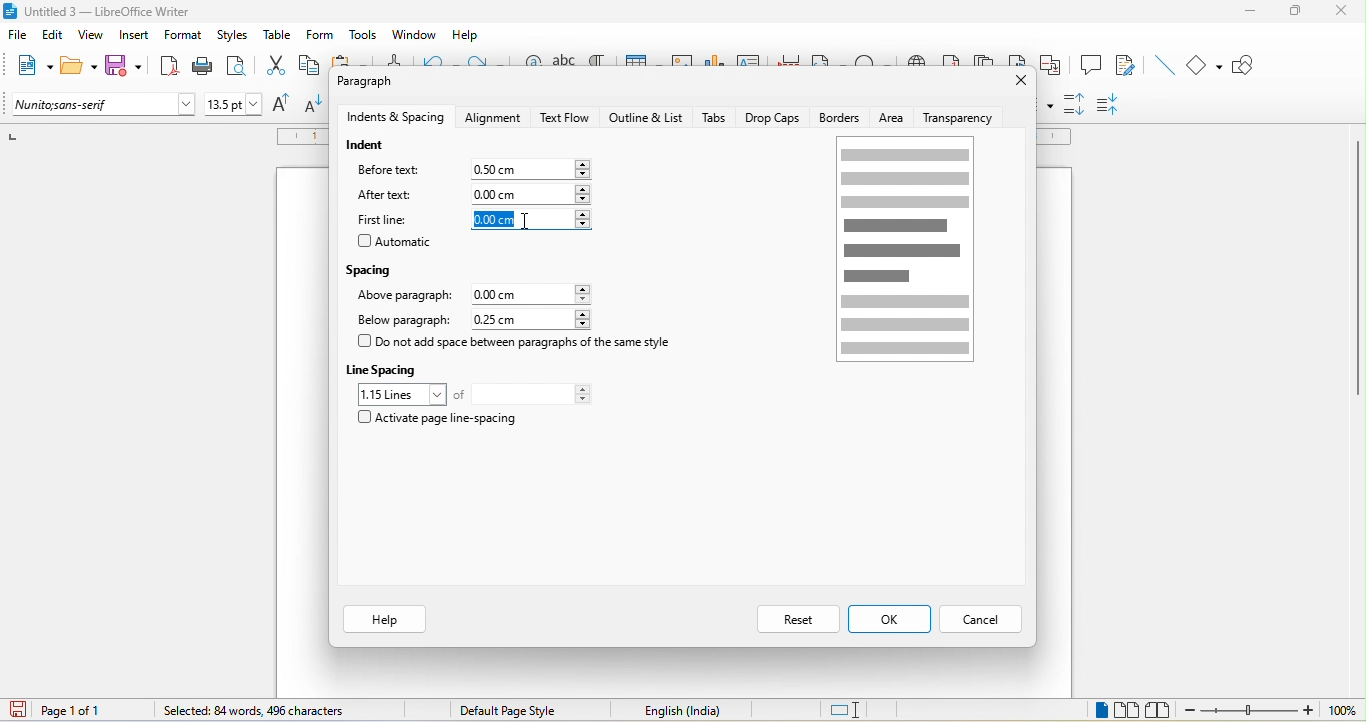  Describe the element at coordinates (710, 710) in the screenshot. I see `text language` at that location.